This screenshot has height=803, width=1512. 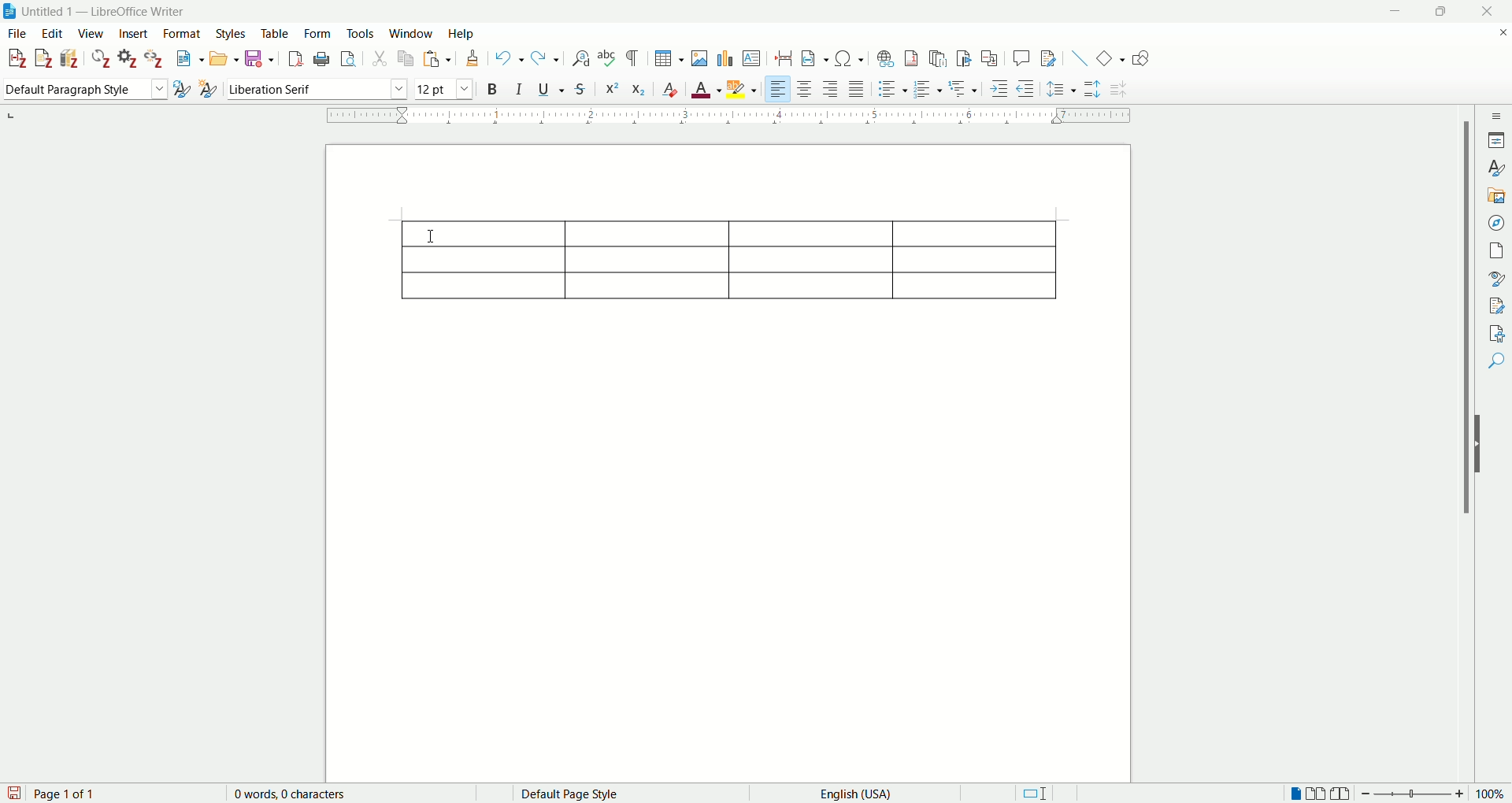 What do you see at coordinates (1080, 58) in the screenshot?
I see `insert line` at bounding box center [1080, 58].